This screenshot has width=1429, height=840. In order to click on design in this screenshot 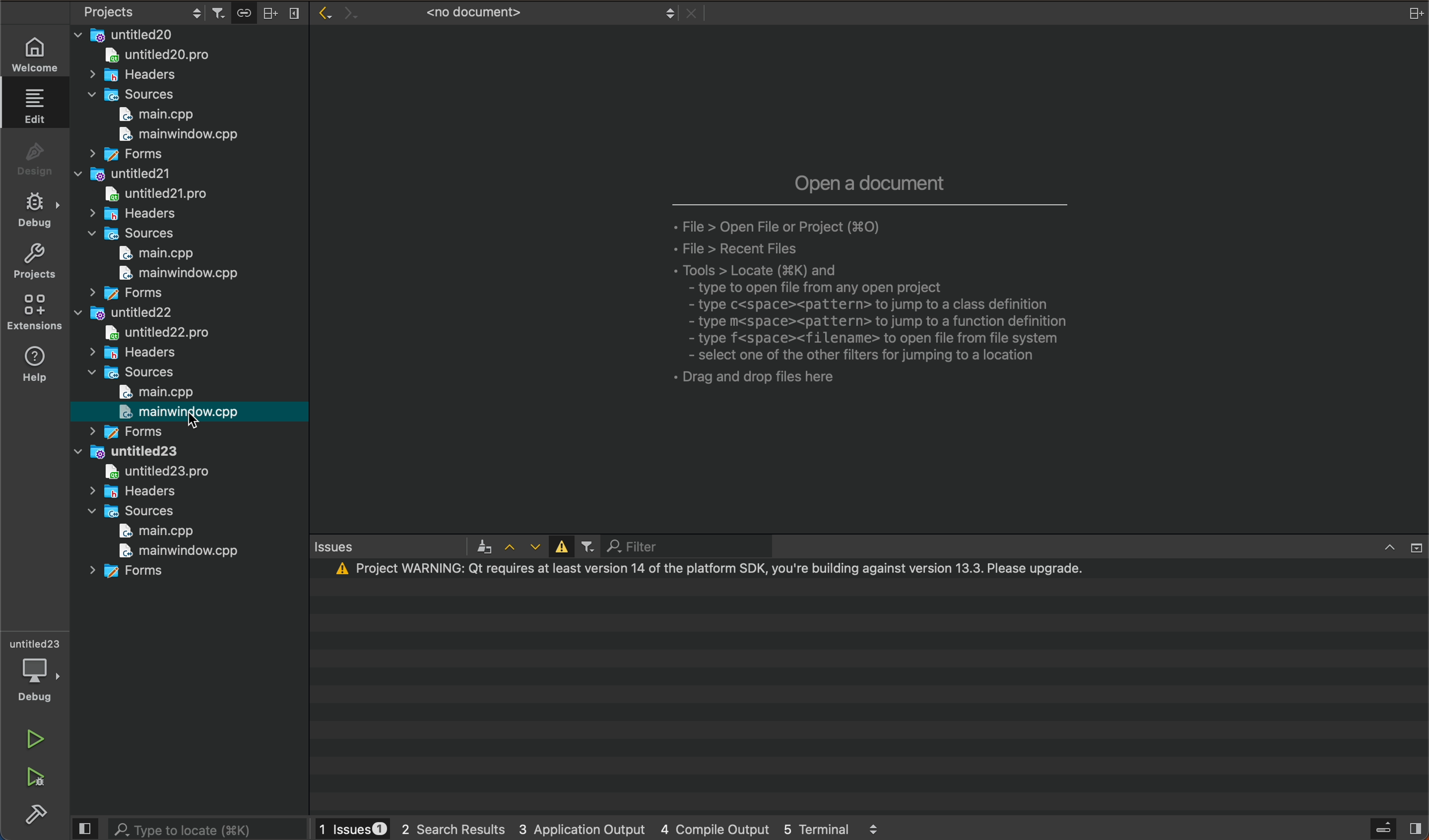, I will do `click(35, 159)`.